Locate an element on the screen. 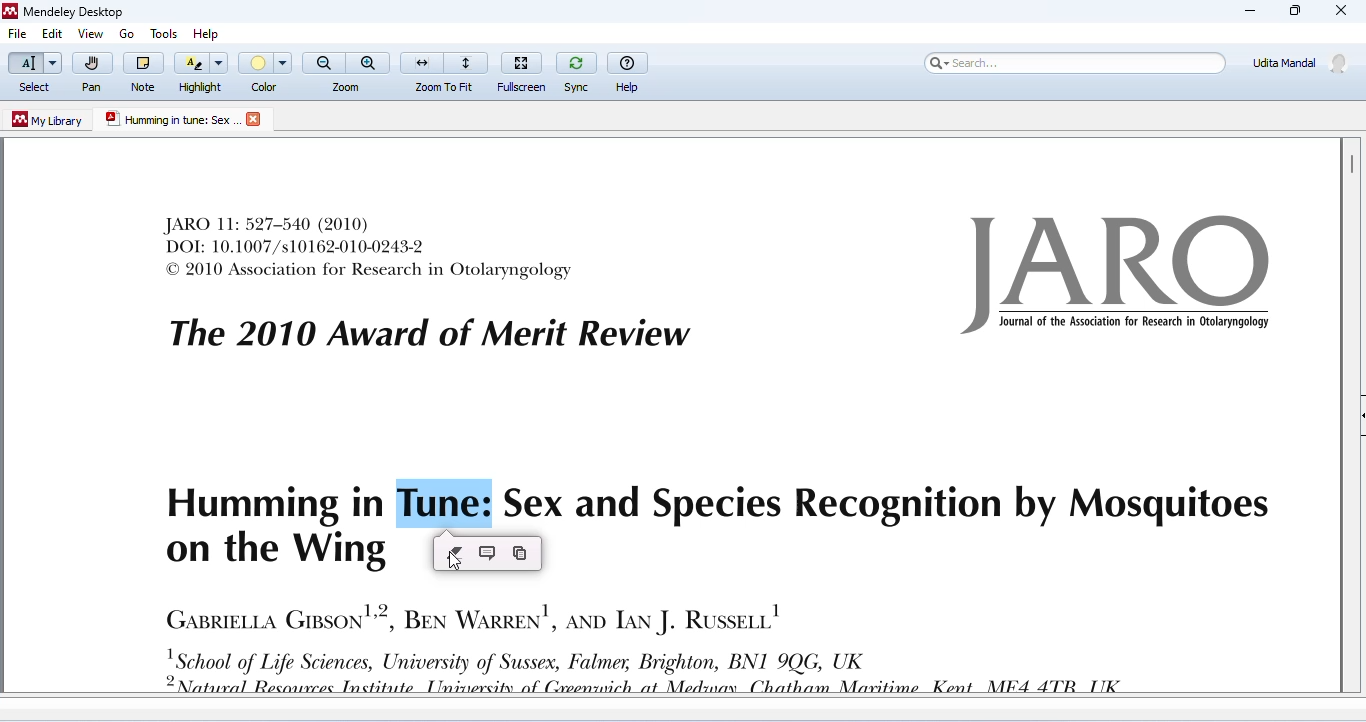 This screenshot has width=1366, height=722. zoom to fit is located at coordinates (445, 70).